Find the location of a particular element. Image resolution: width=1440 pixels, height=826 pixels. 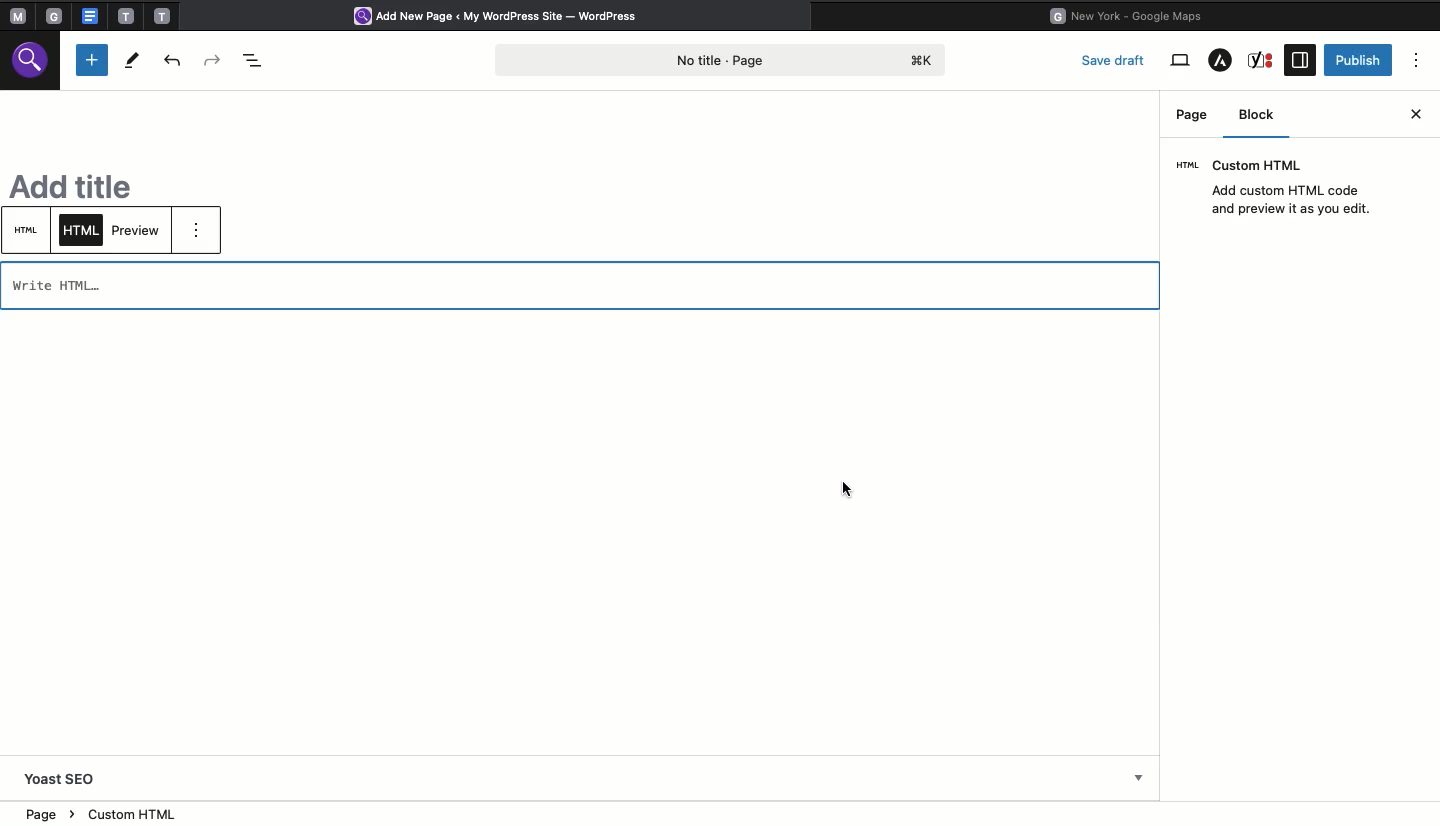

cursor is located at coordinates (848, 486).